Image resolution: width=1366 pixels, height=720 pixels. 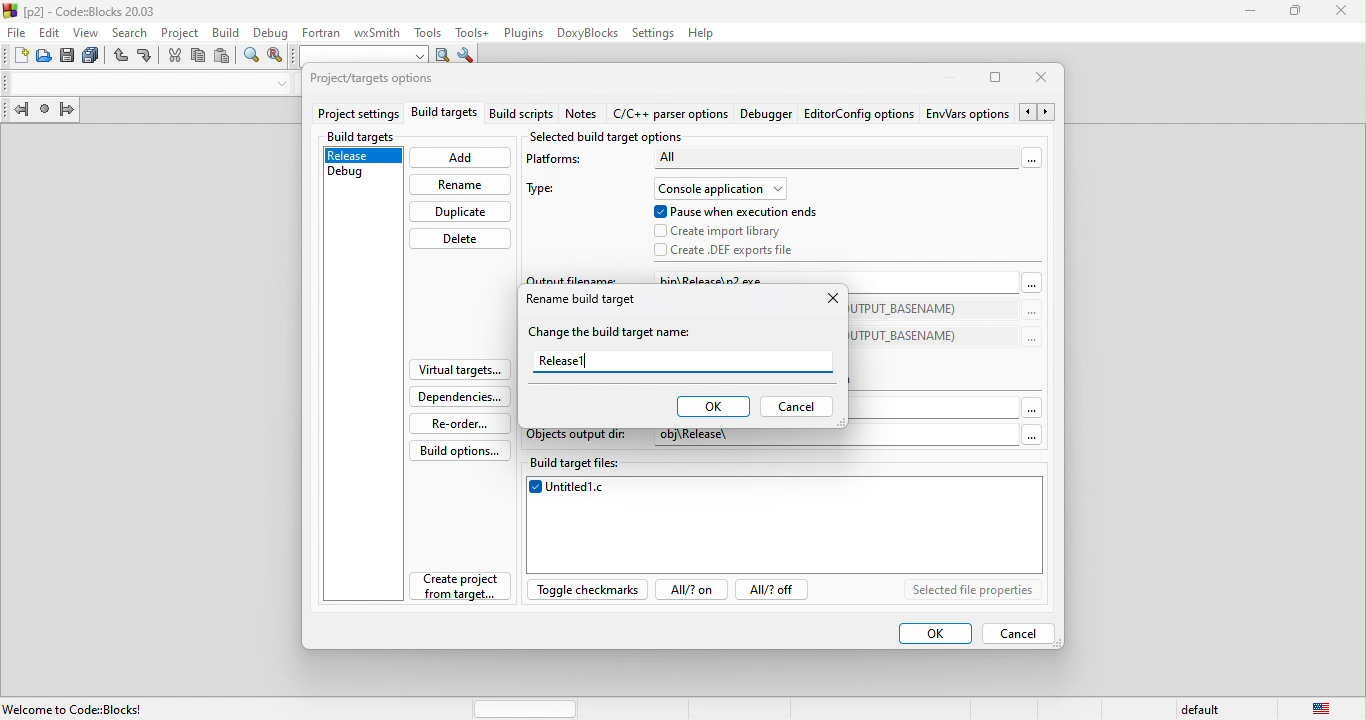 I want to click on Arrows, so click(x=1039, y=113).